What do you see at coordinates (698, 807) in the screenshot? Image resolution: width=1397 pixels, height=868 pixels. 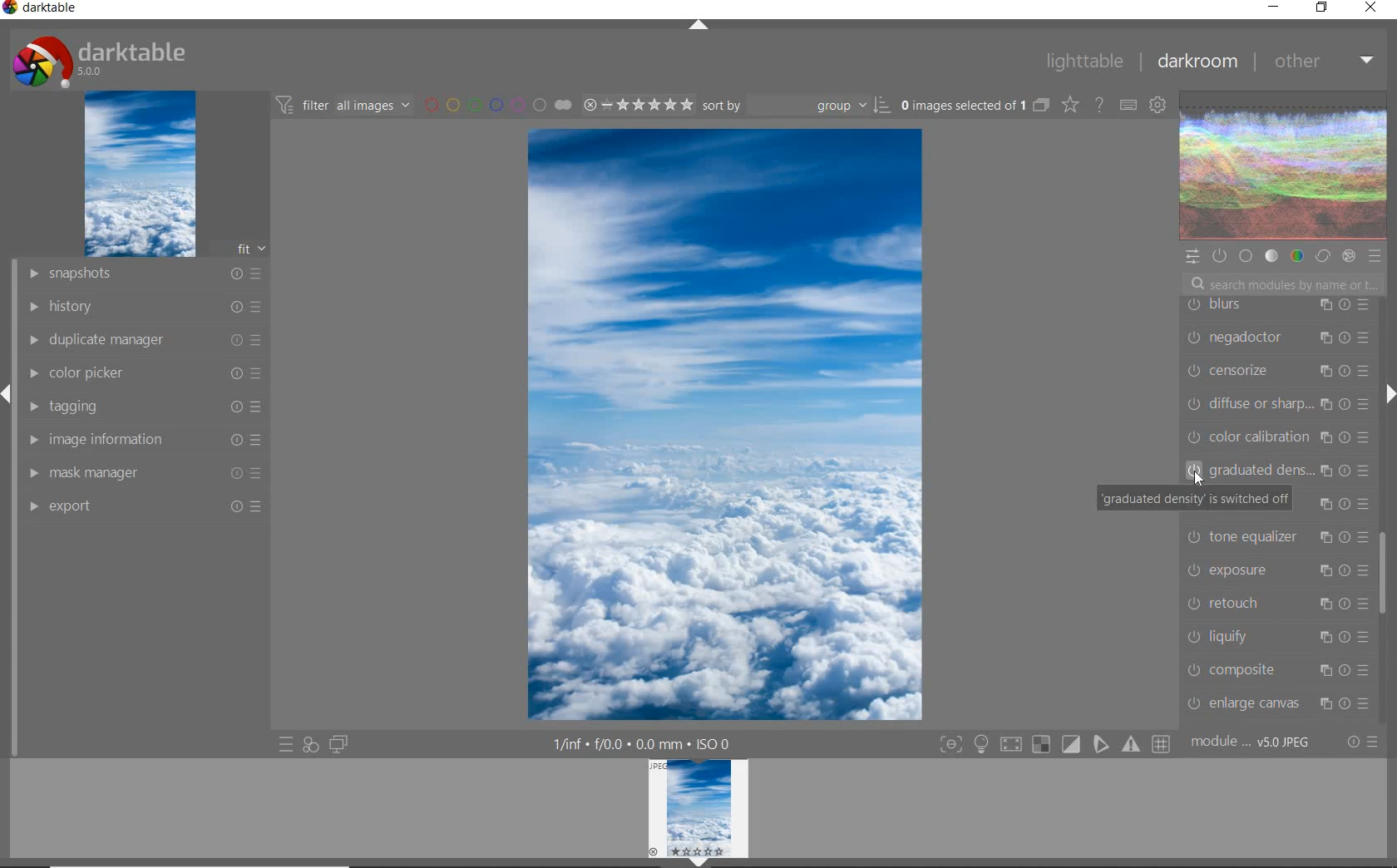 I see `IMAGE PREVIEW` at bounding box center [698, 807].